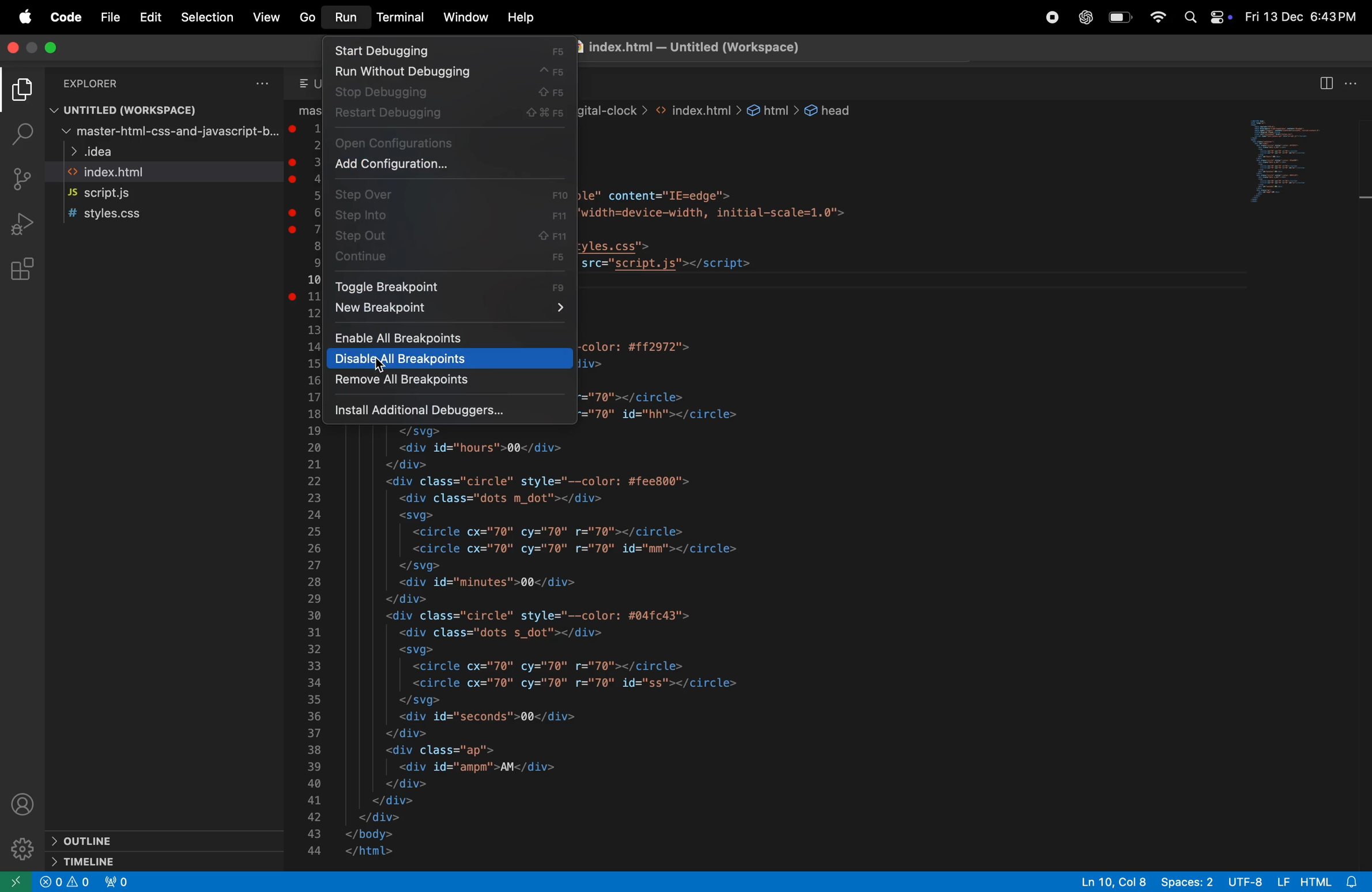  I want to click on Script.js, so click(111, 195).